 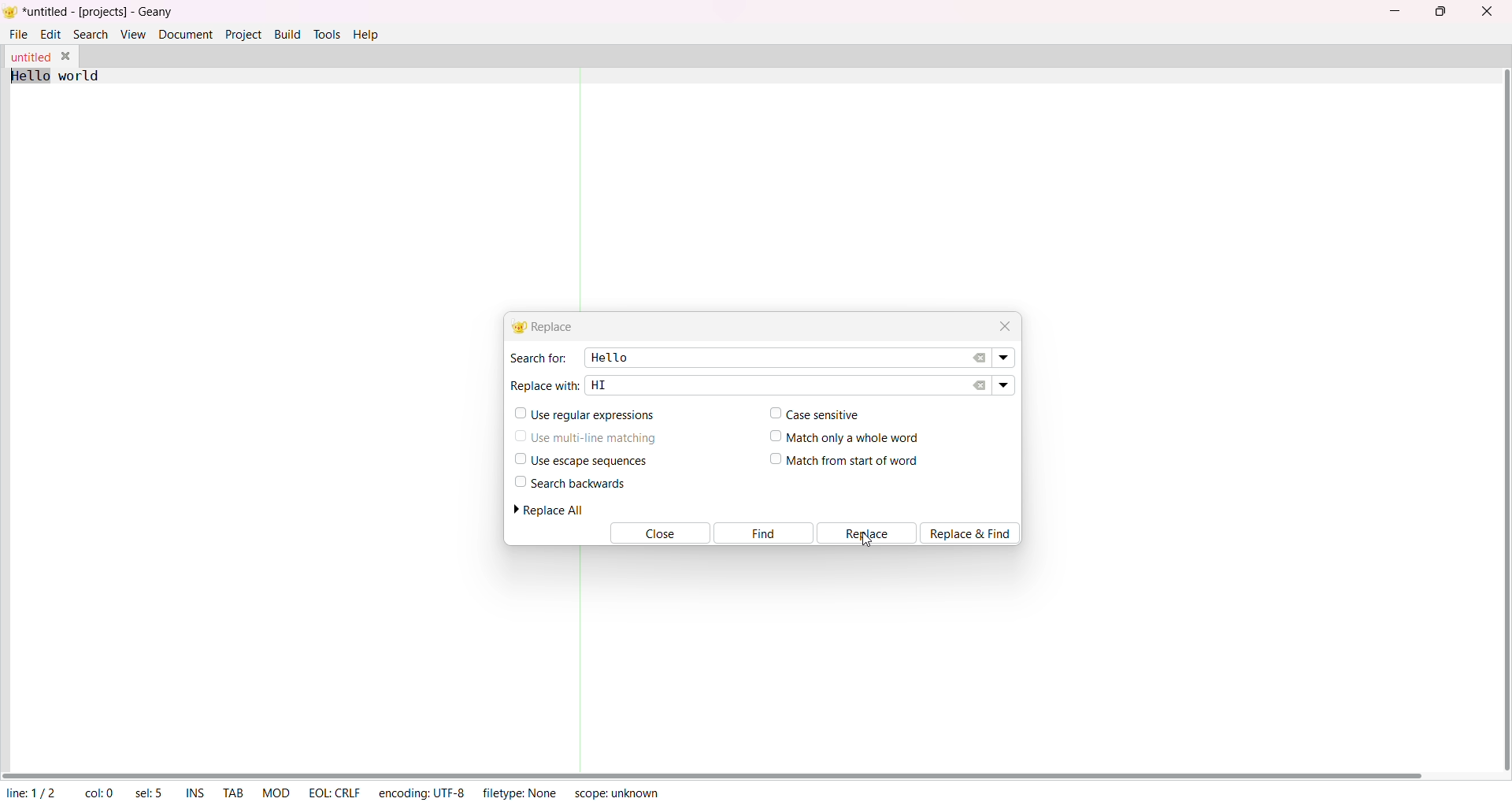 I want to click on document, so click(x=186, y=33).